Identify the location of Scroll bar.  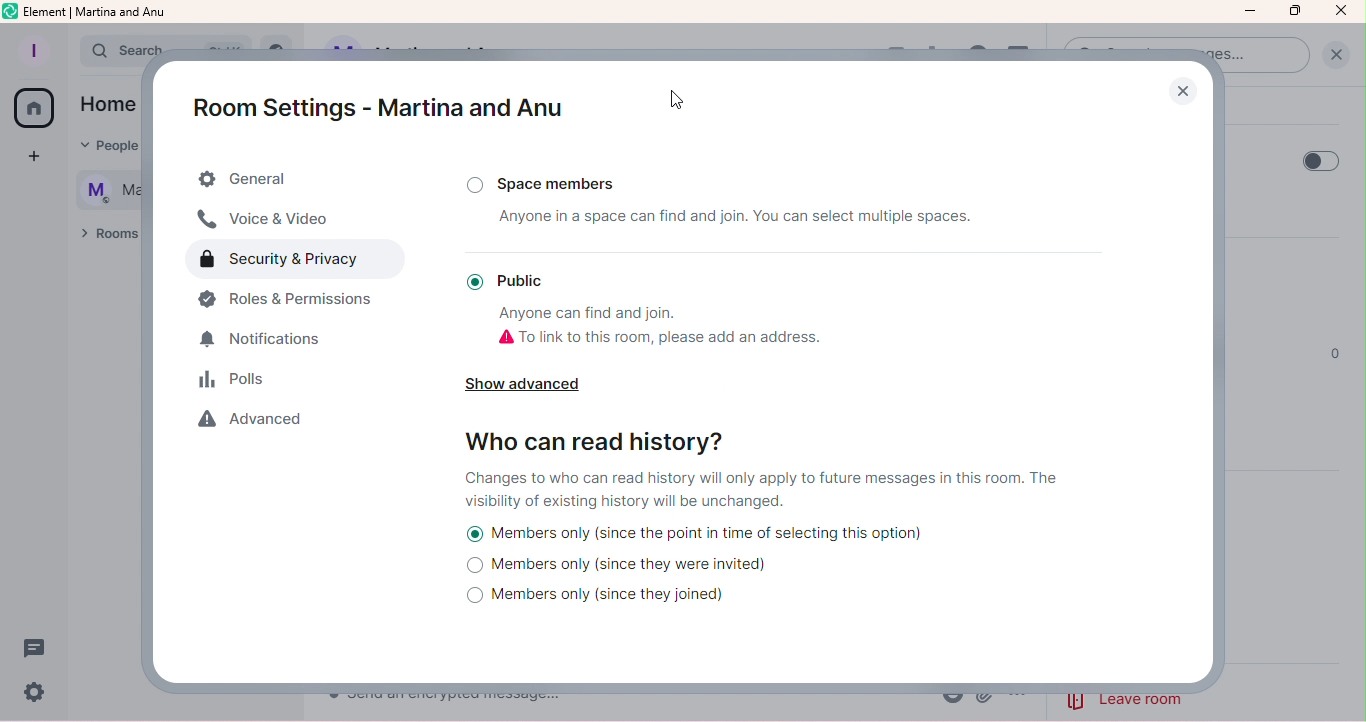
(1209, 392).